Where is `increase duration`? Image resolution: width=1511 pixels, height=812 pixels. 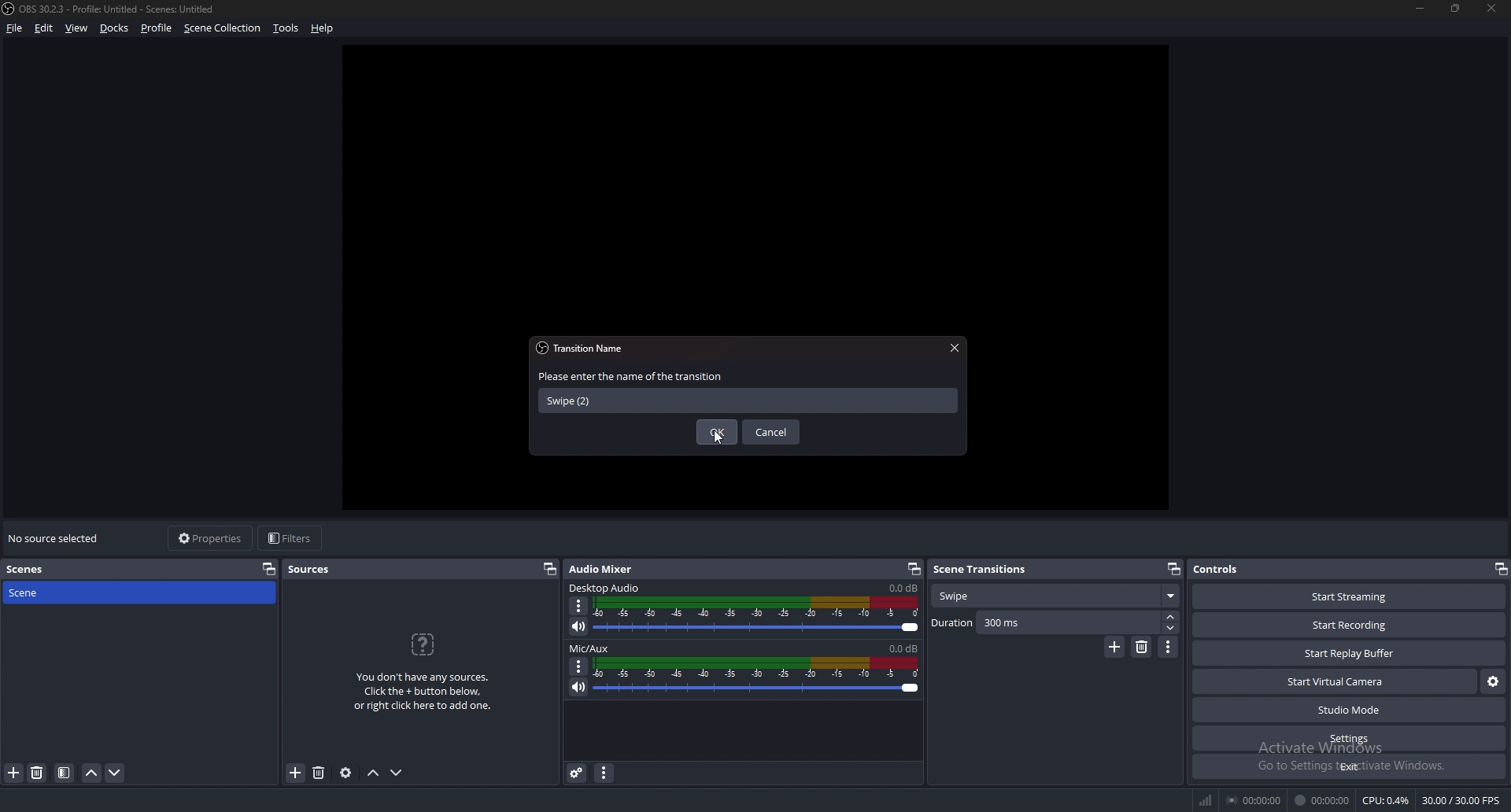 increase duration is located at coordinates (1170, 617).